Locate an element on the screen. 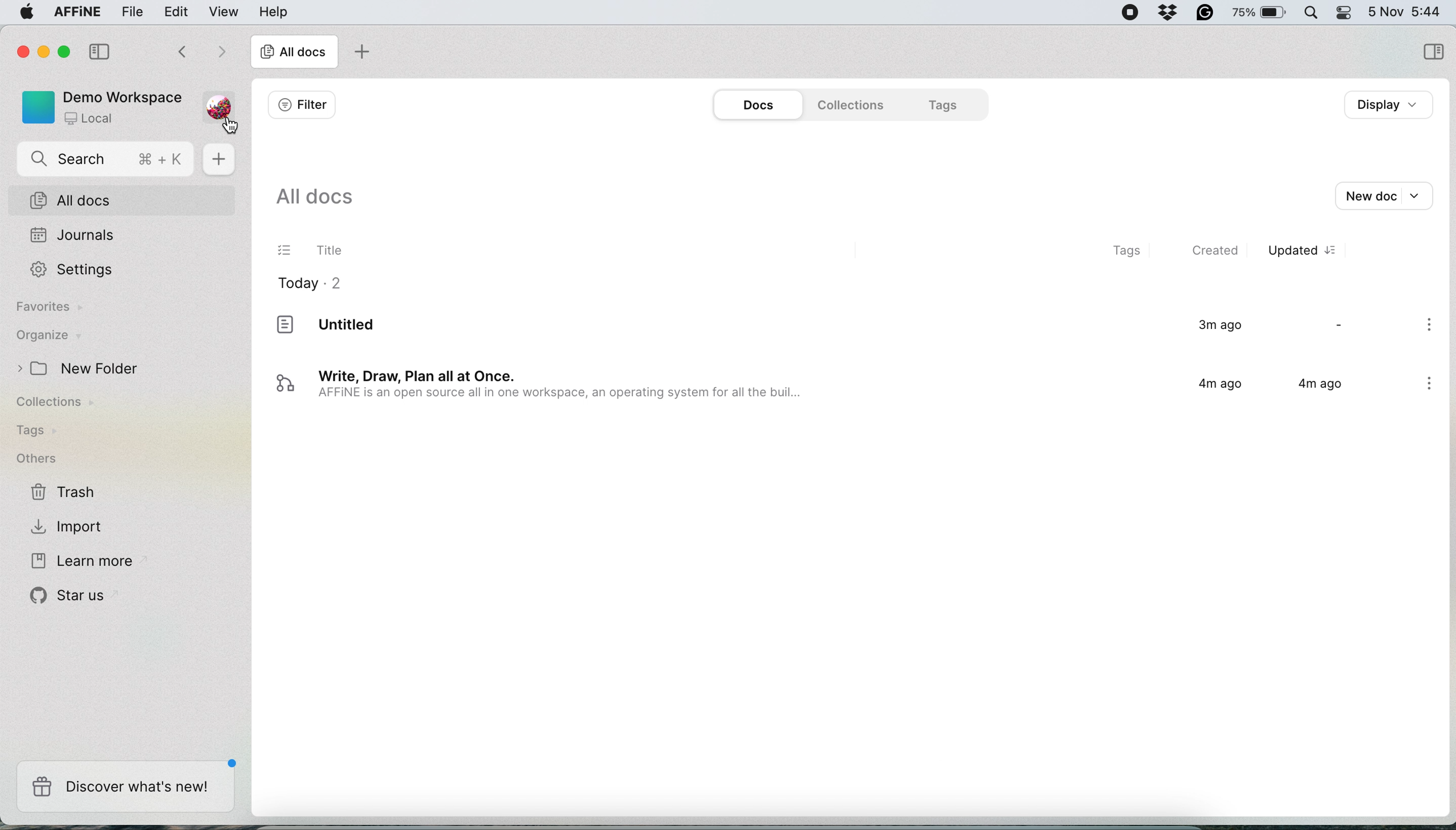  journals is located at coordinates (72, 237).